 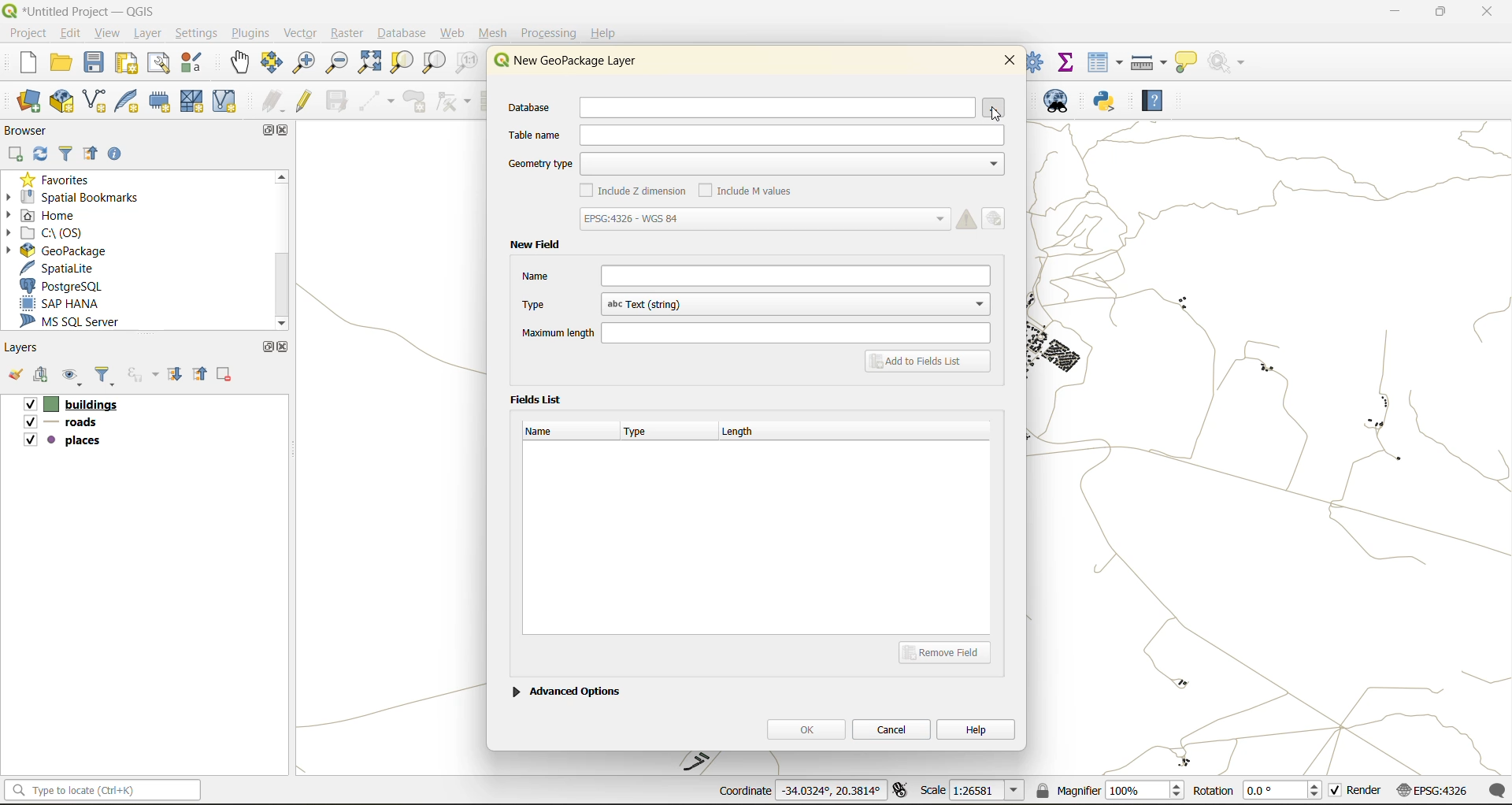 What do you see at coordinates (799, 792) in the screenshot?
I see `coordinates` at bounding box center [799, 792].